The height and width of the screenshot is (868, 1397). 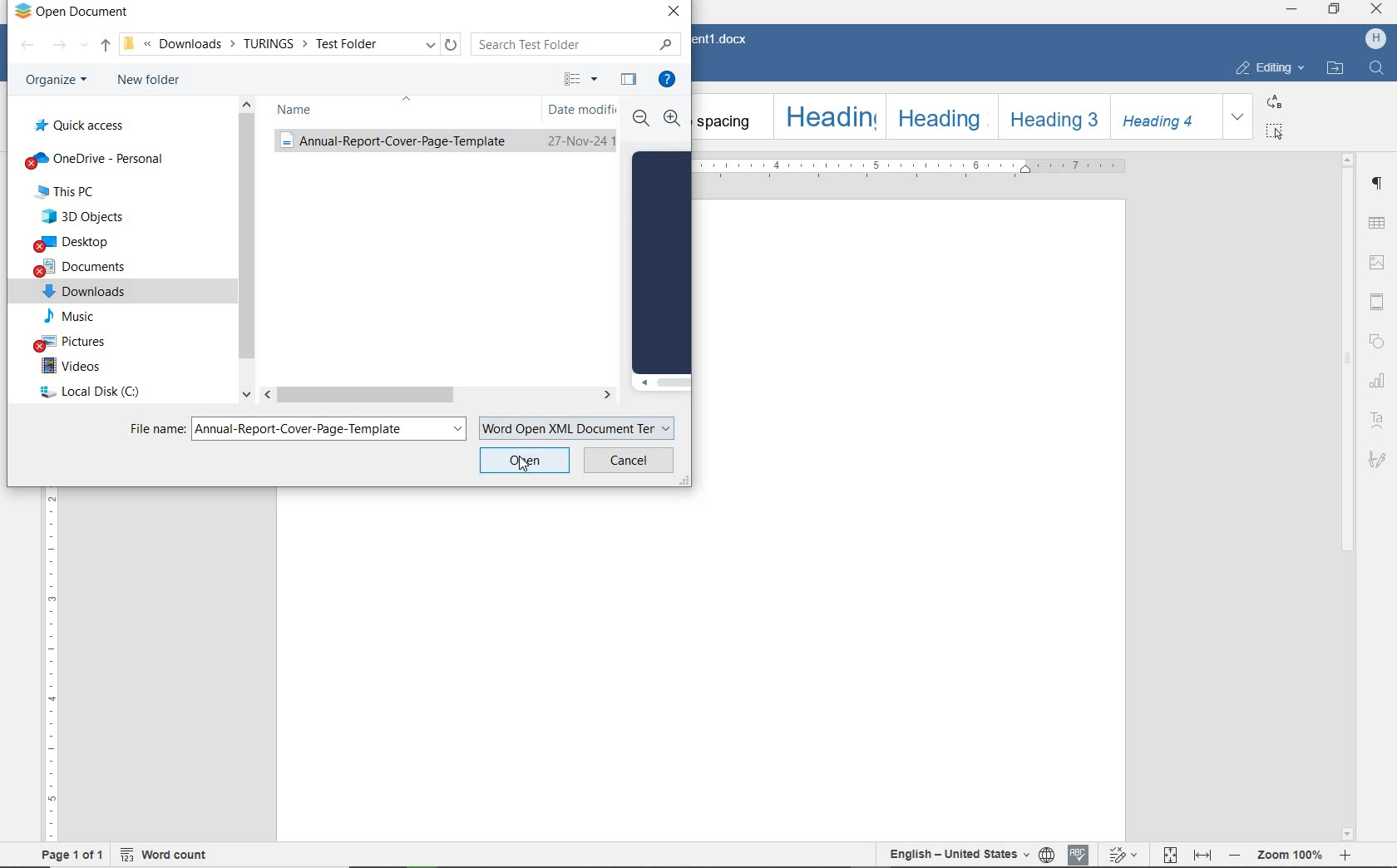 What do you see at coordinates (1377, 302) in the screenshot?
I see `header & footer` at bounding box center [1377, 302].